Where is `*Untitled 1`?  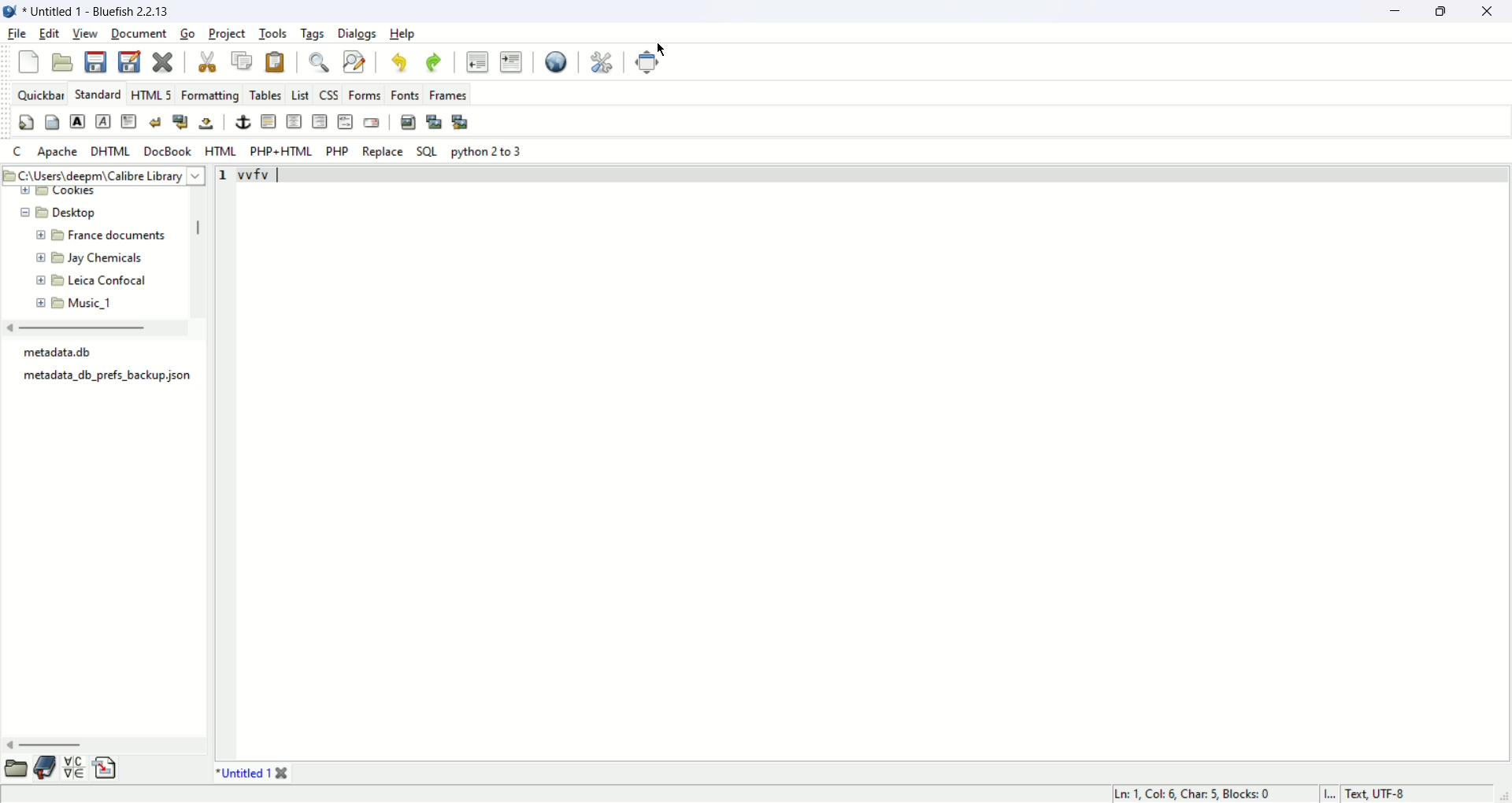
*Untitled 1 is located at coordinates (252, 773).